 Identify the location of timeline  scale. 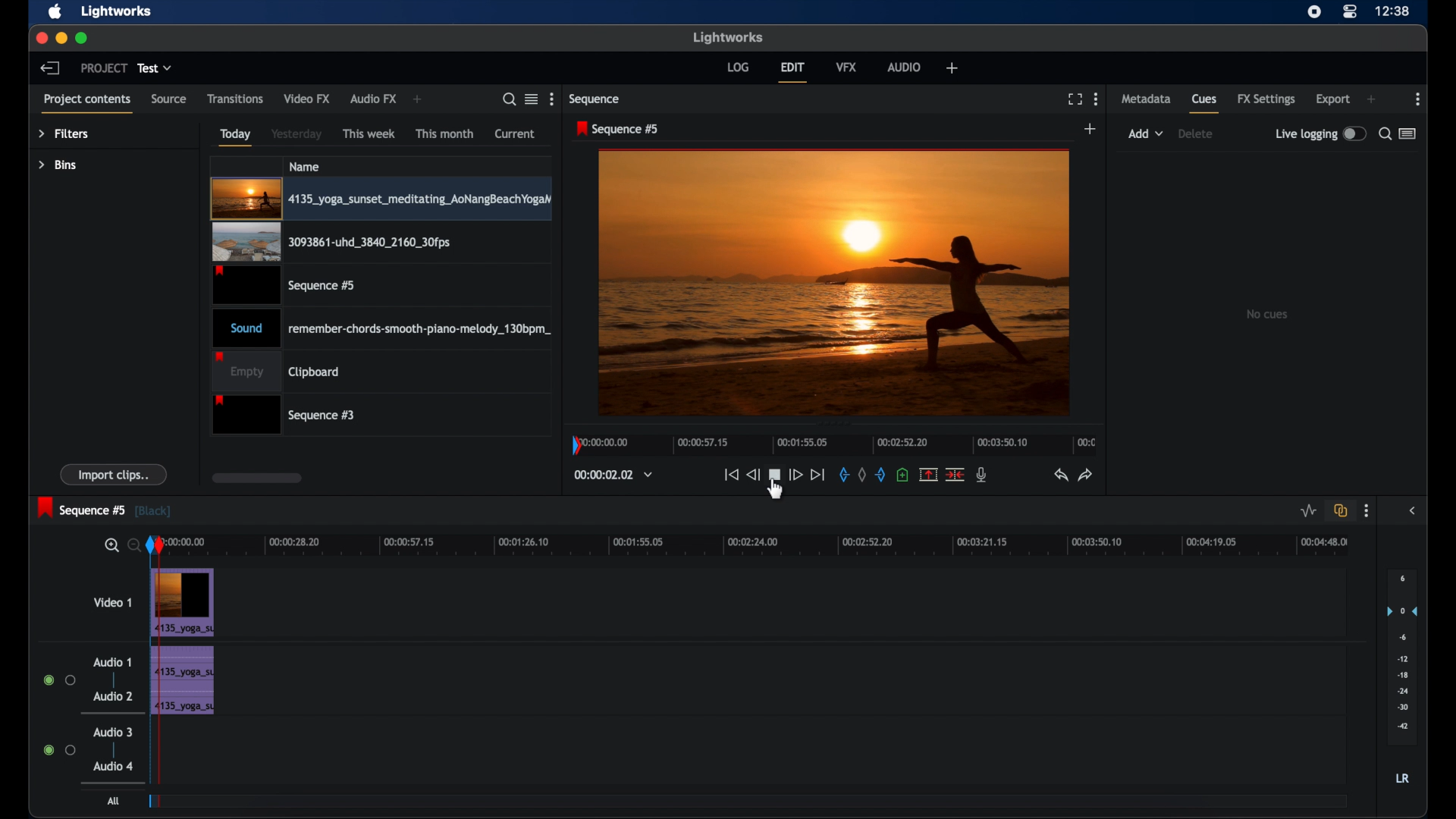
(833, 443).